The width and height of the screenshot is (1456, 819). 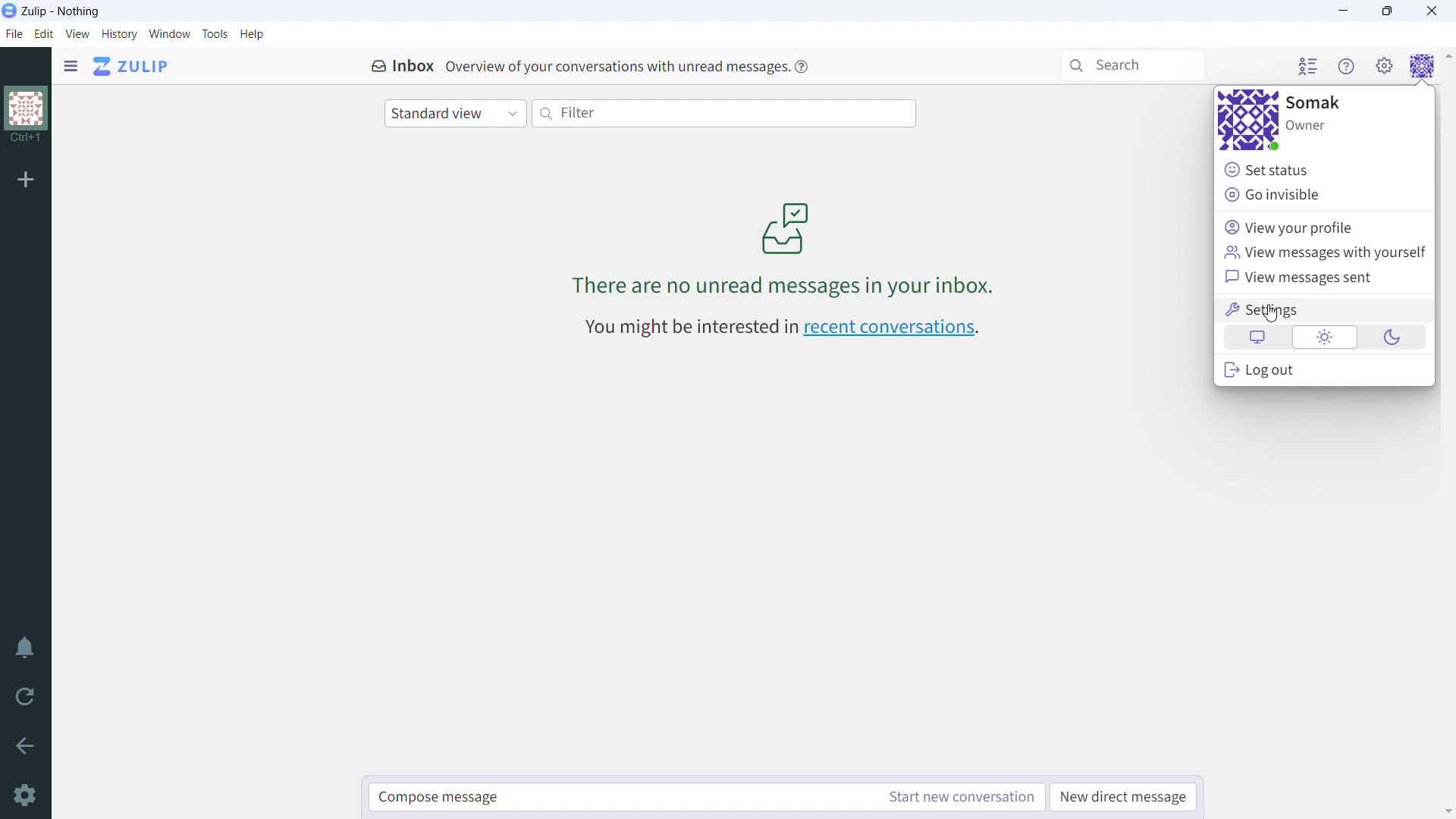 What do you see at coordinates (61, 11) in the screenshot?
I see `title` at bounding box center [61, 11].